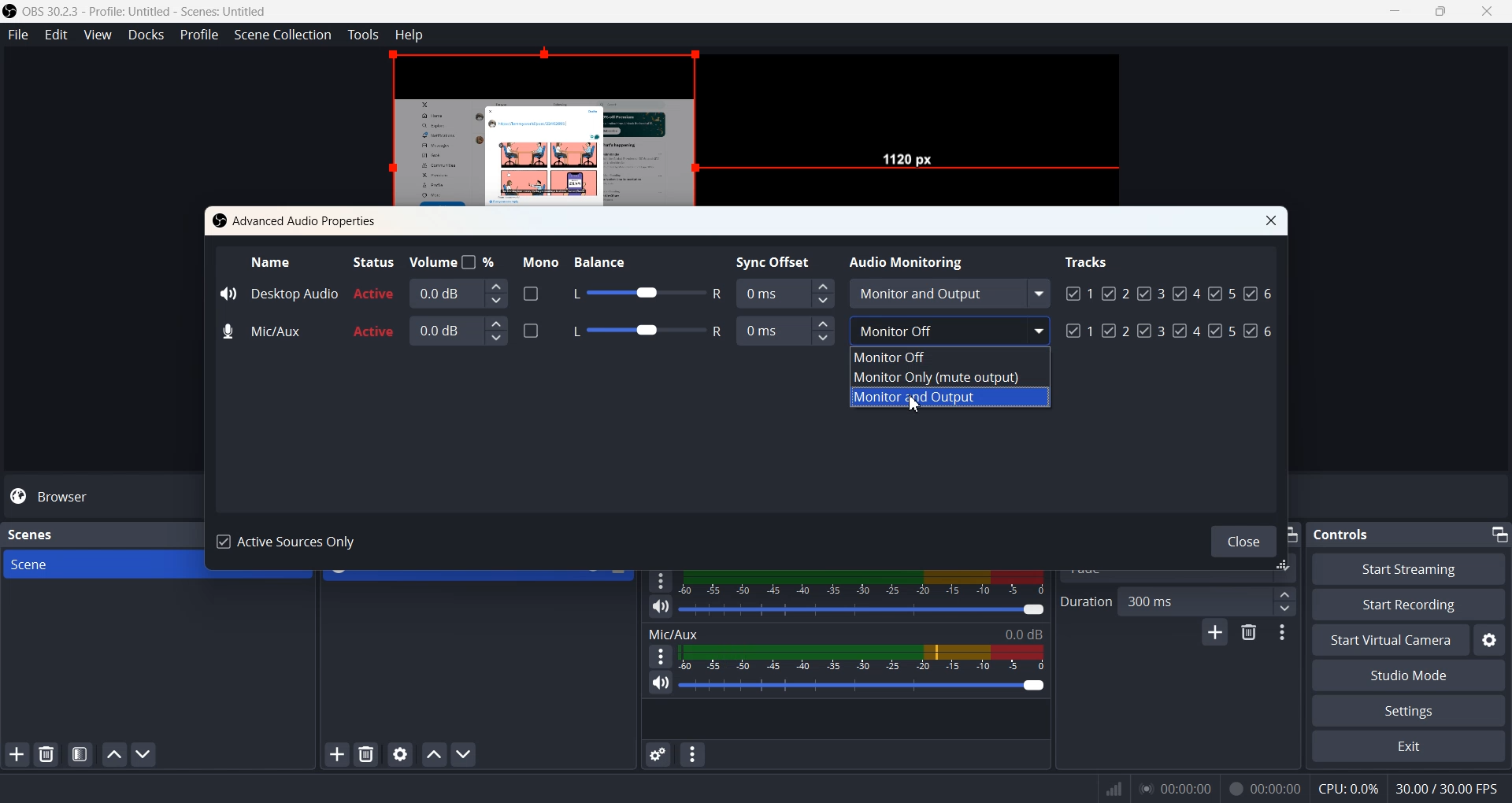 Image resolution: width=1512 pixels, height=803 pixels. I want to click on Exit, so click(1407, 748).